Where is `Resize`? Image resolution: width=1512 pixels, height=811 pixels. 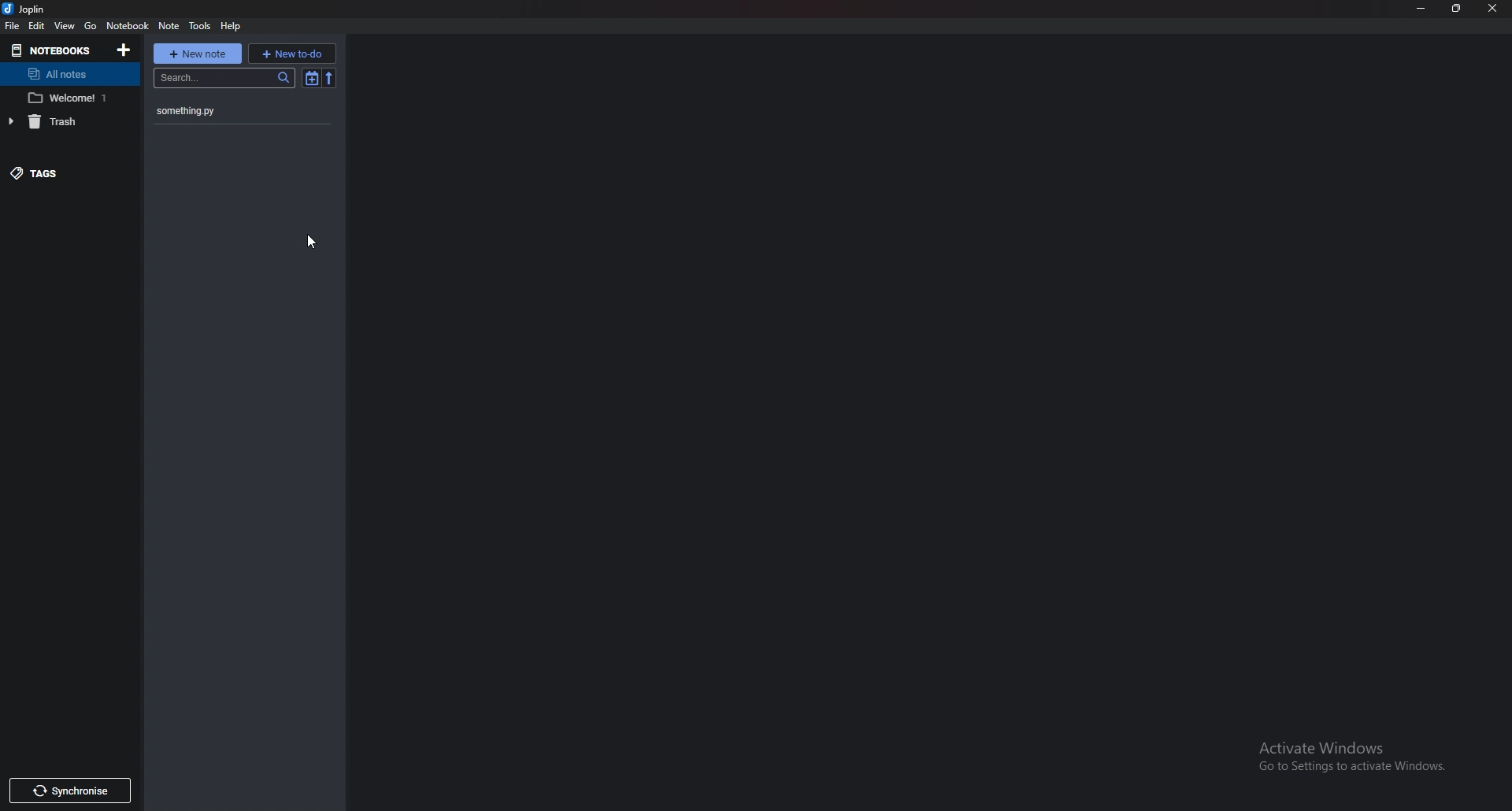 Resize is located at coordinates (1455, 9).